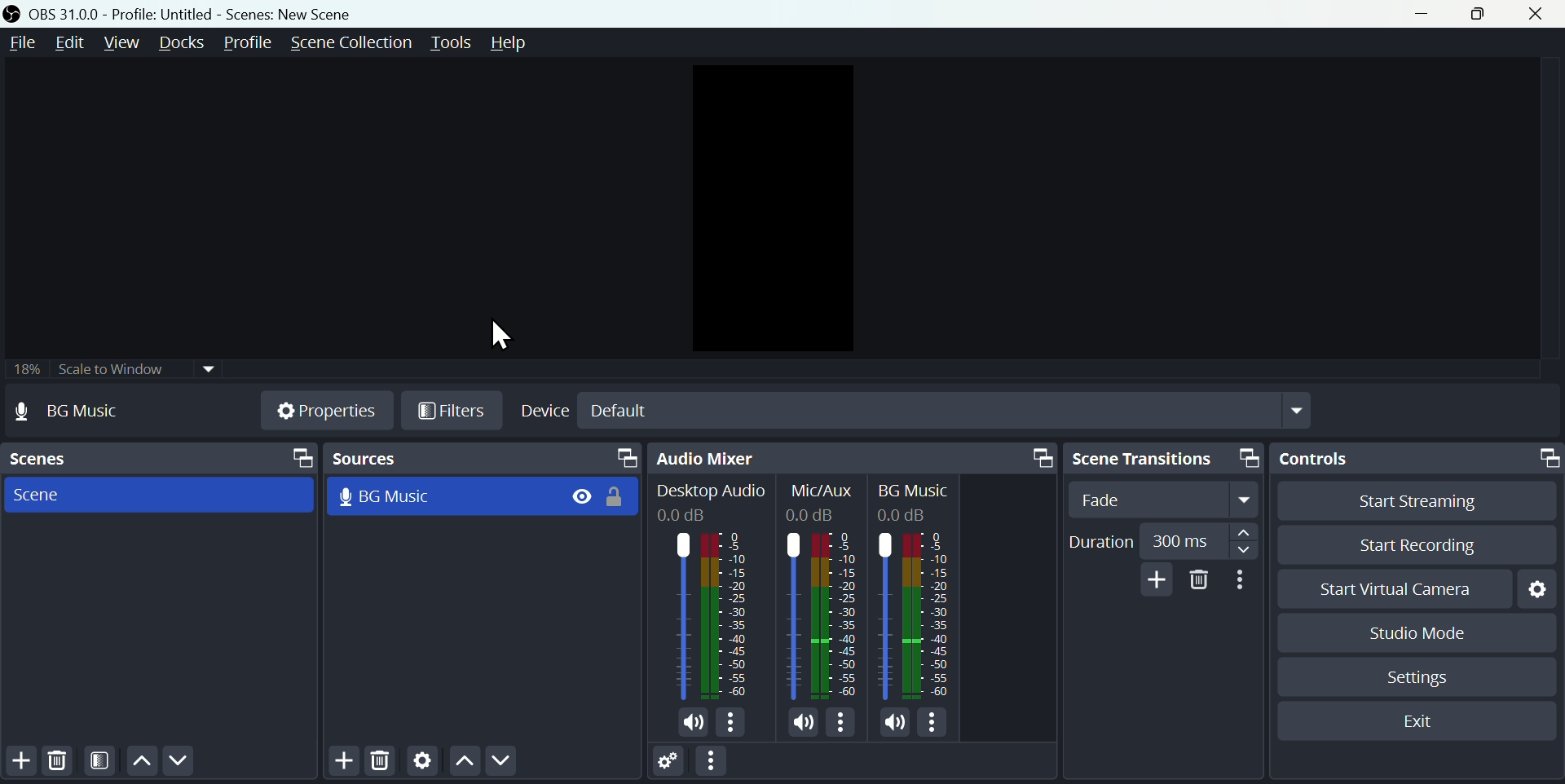 This screenshot has width=1565, height=784. What do you see at coordinates (1167, 459) in the screenshot?
I see `Scene transitions` at bounding box center [1167, 459].